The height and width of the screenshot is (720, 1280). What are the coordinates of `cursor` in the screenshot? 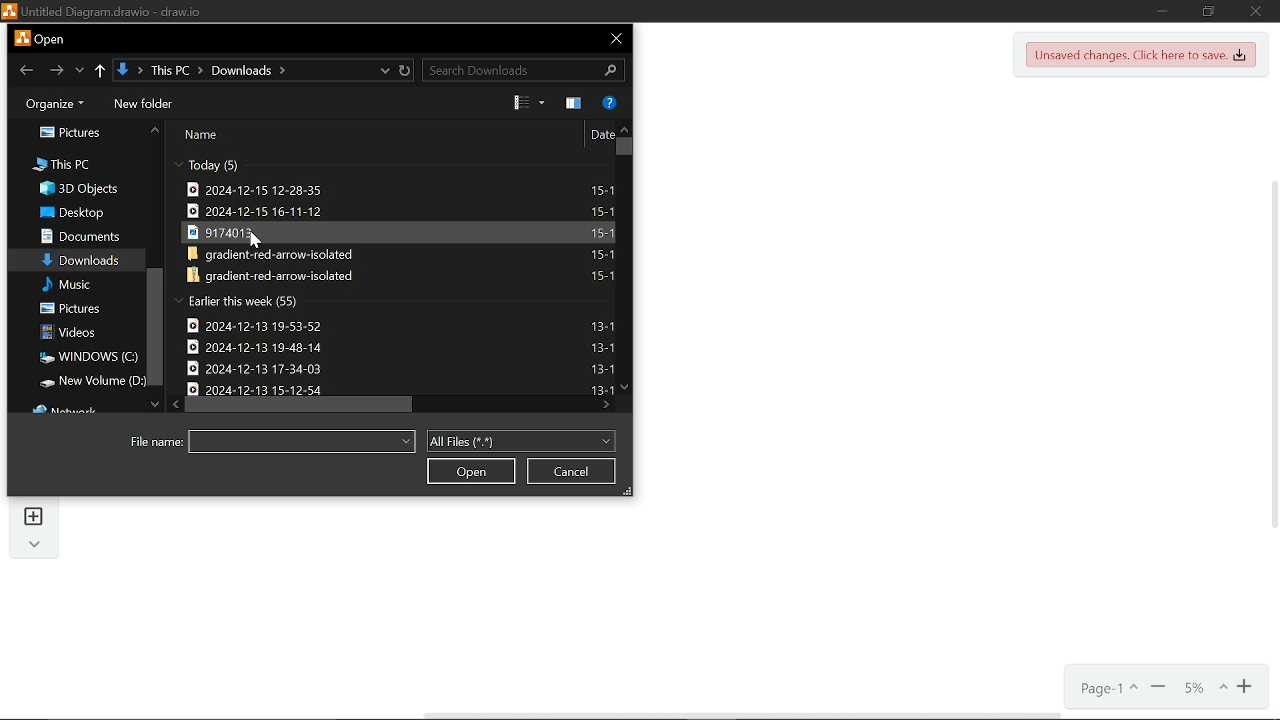 It's located at (255, 239).